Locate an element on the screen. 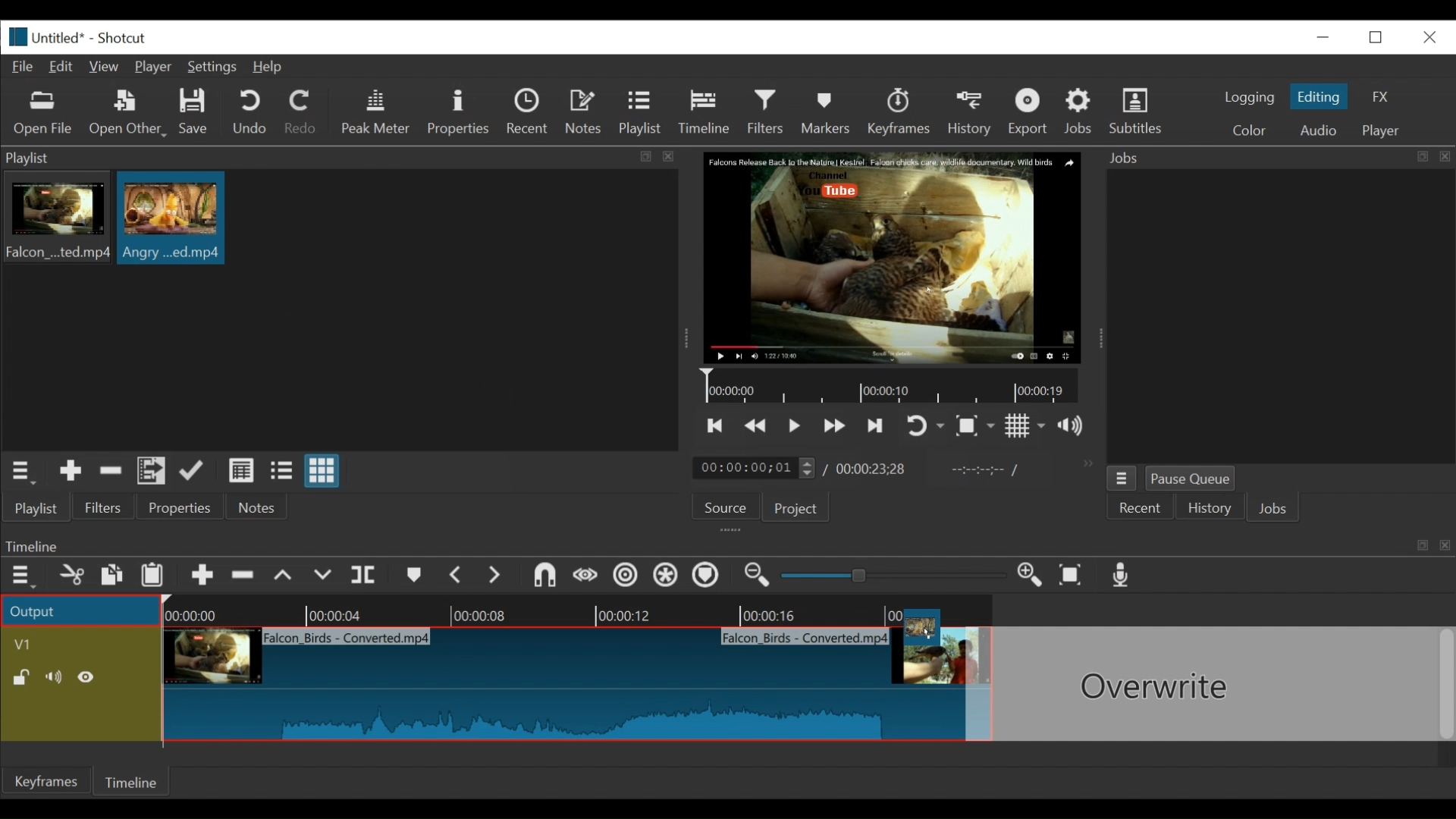  Ripple all tracks is located at coordinates (665, 577).